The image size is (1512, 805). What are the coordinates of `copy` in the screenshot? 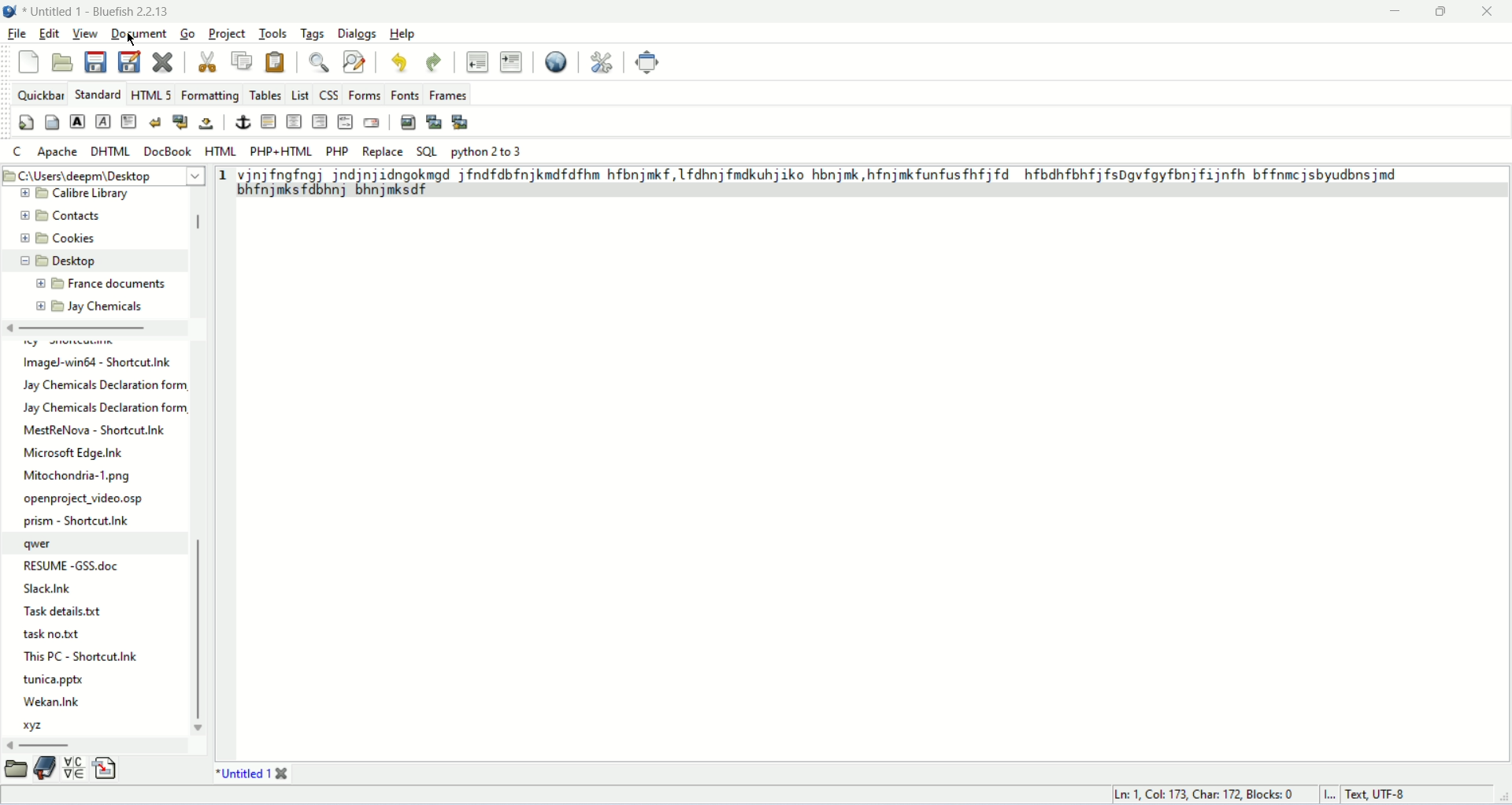 It's located at (242, 61).